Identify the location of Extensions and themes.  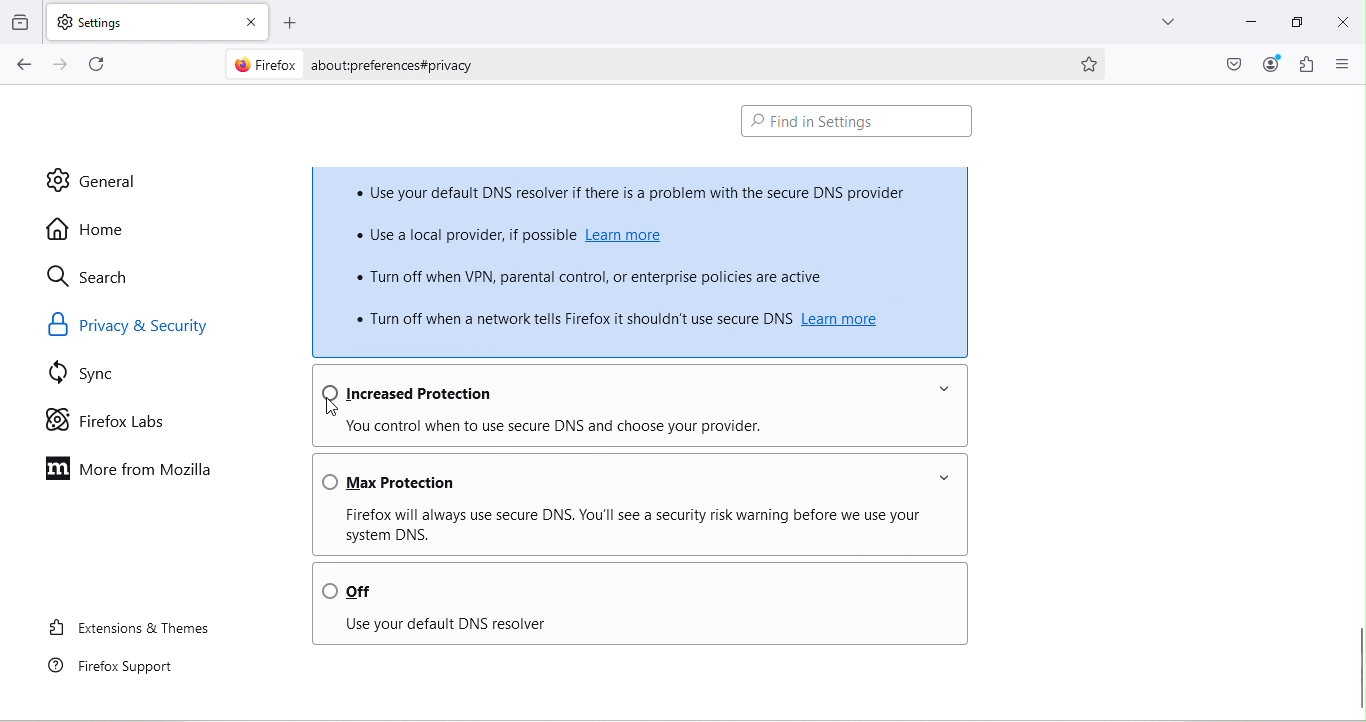
(130, 632).